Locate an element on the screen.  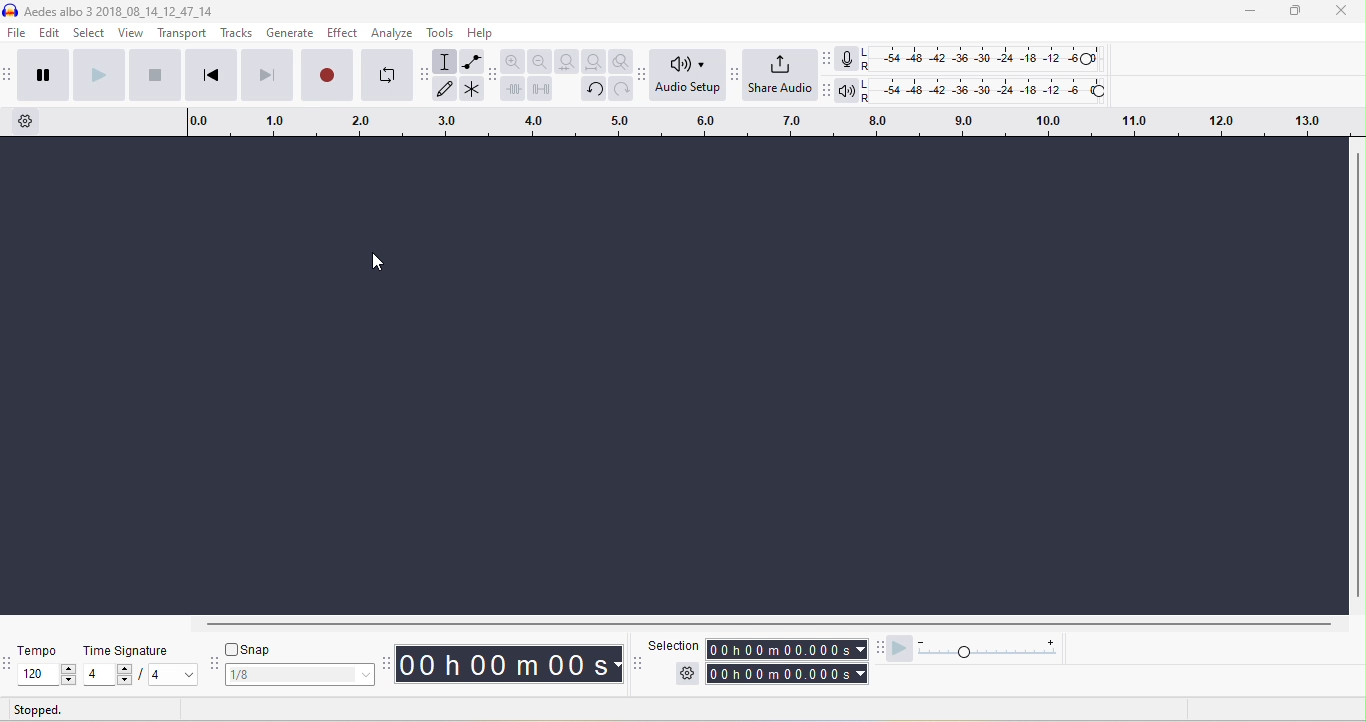
envelop tool is located at coordinates (473, 63).